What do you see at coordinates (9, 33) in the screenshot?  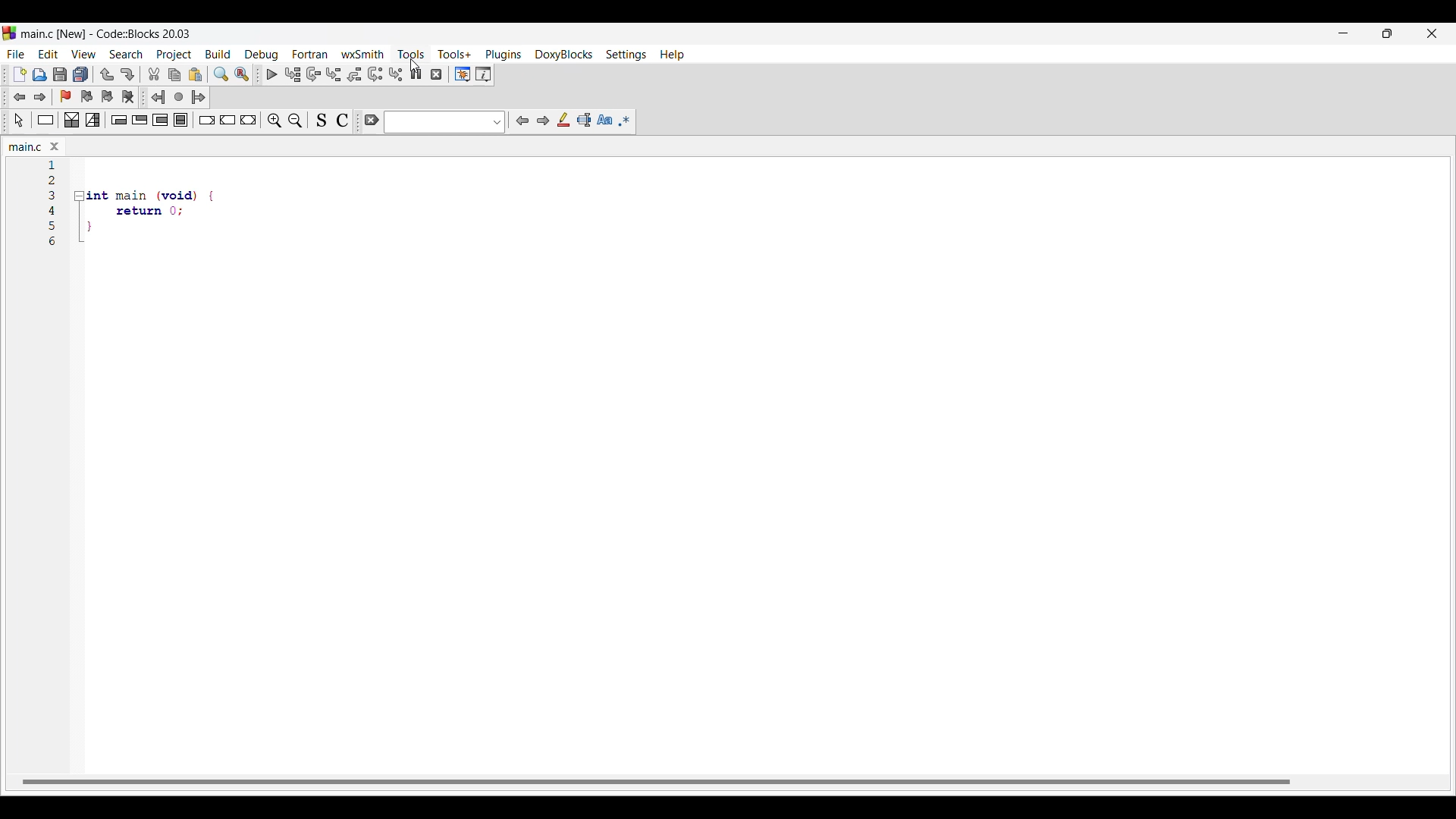 I see `codeblock  logo` at bounding box center [9, 33].